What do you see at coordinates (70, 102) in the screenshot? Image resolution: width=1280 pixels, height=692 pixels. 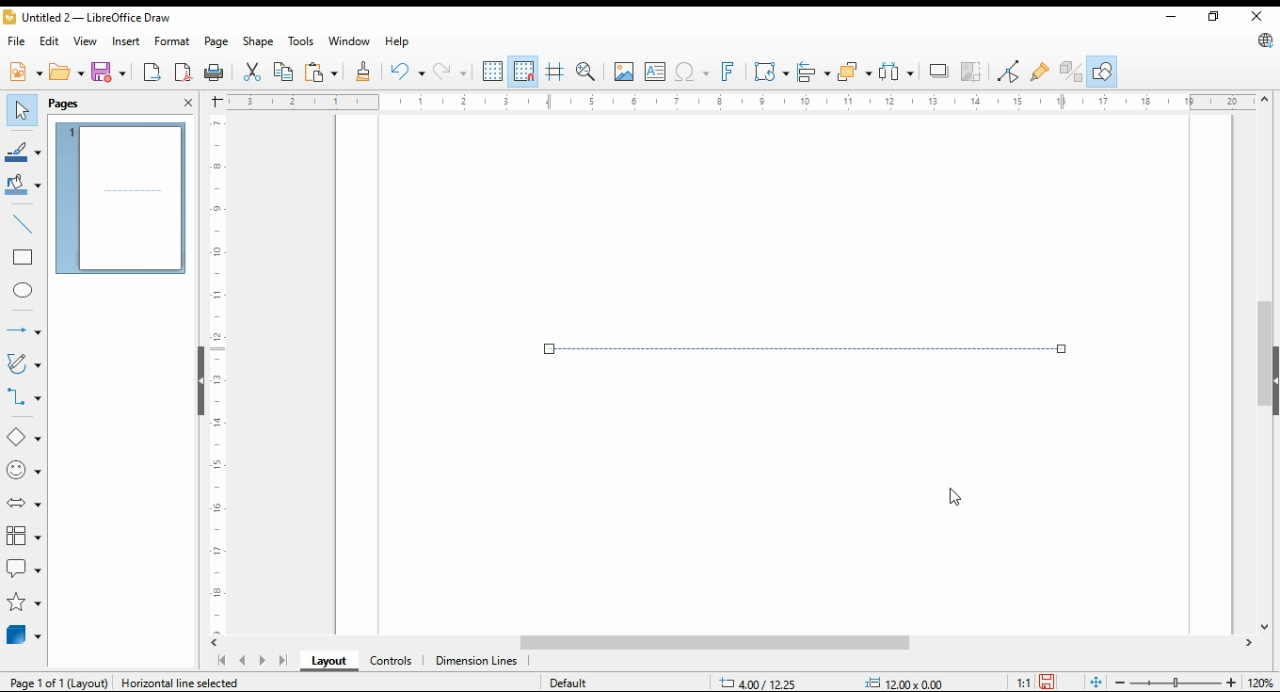 I see `pages` at bounding box center [70, 102].